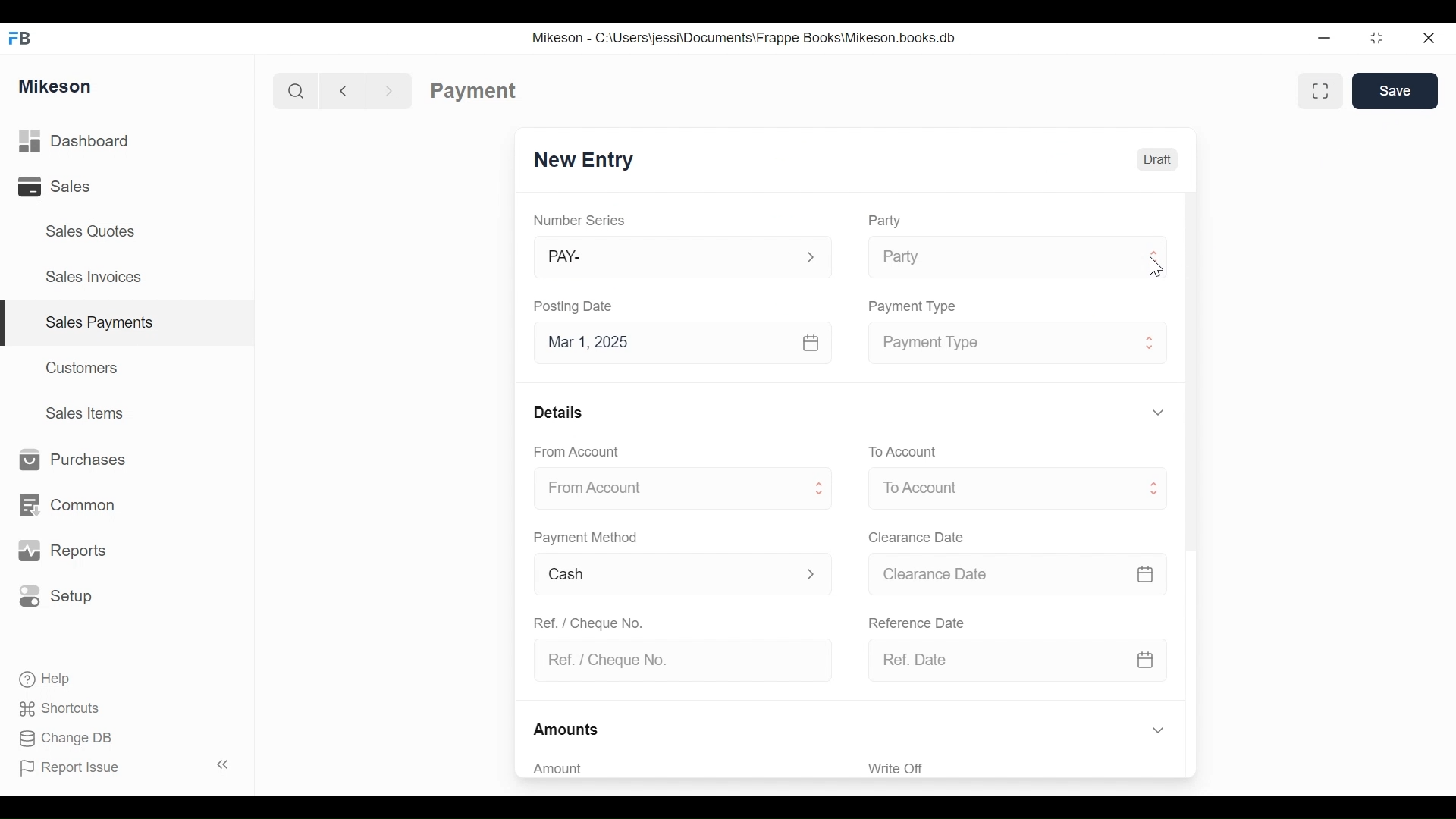 The width and height of the screenshot is (1456, 819). What do you see at coordinates (682, 573) in the screenshot?
I see `Cash` at bounding box center [682, 573].